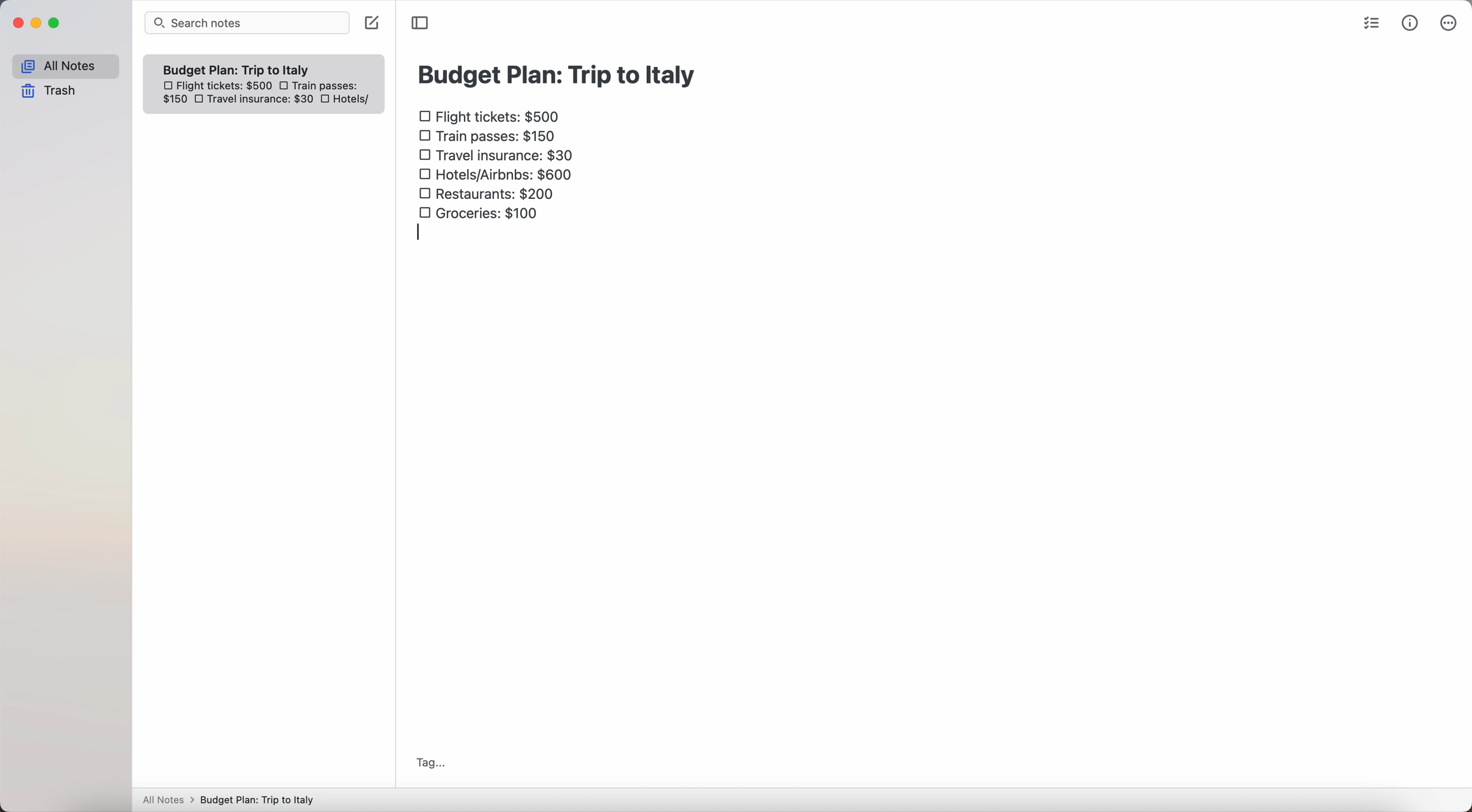 The height and width of the screenshot is (812, 1472). What do you see at coordinates (422, 231) in the screenshot?
I see `enter` at bounding box center [422, 231].